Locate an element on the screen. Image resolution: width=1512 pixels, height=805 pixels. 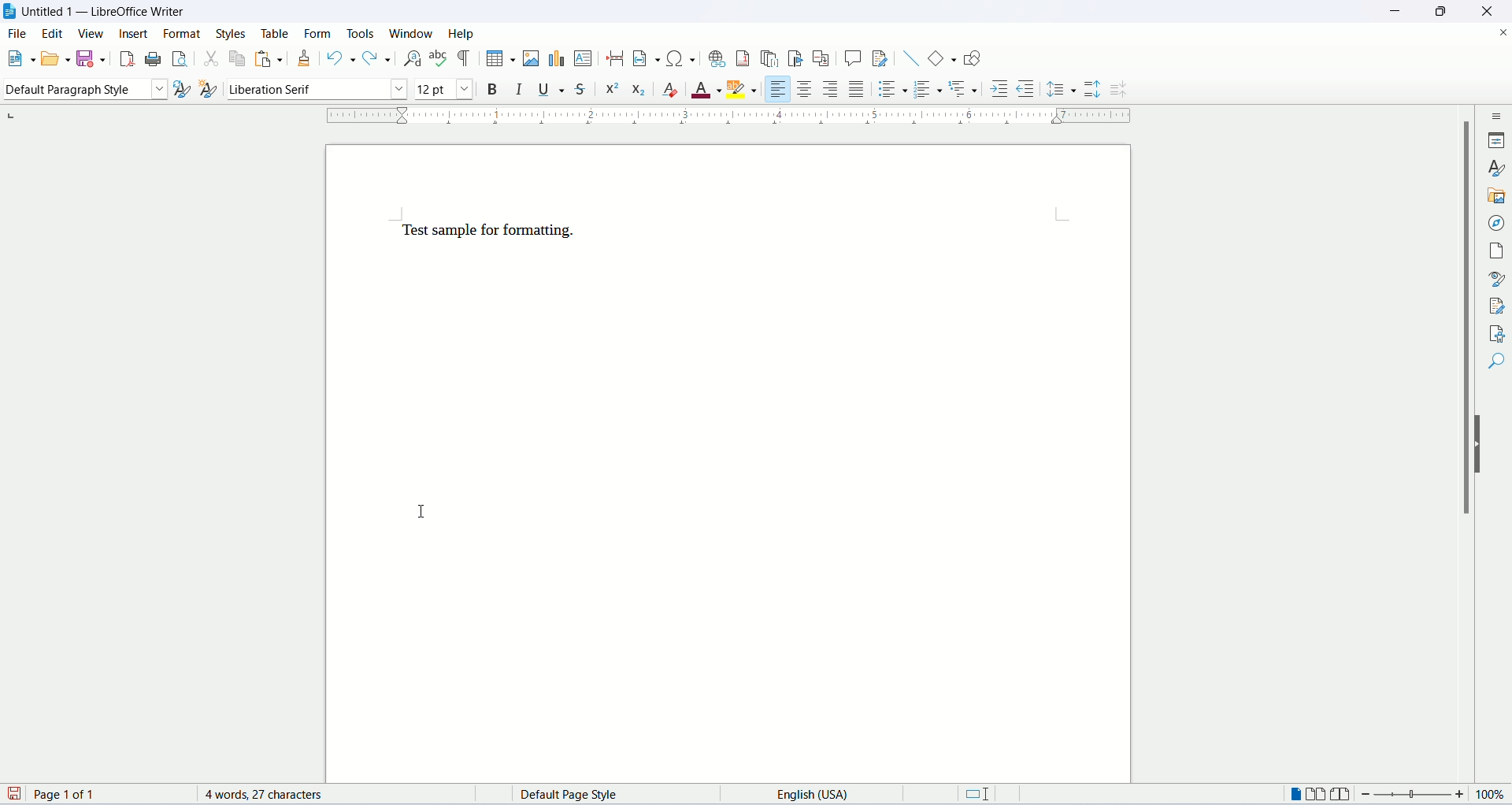
paste is located at coordinates (264, 58).